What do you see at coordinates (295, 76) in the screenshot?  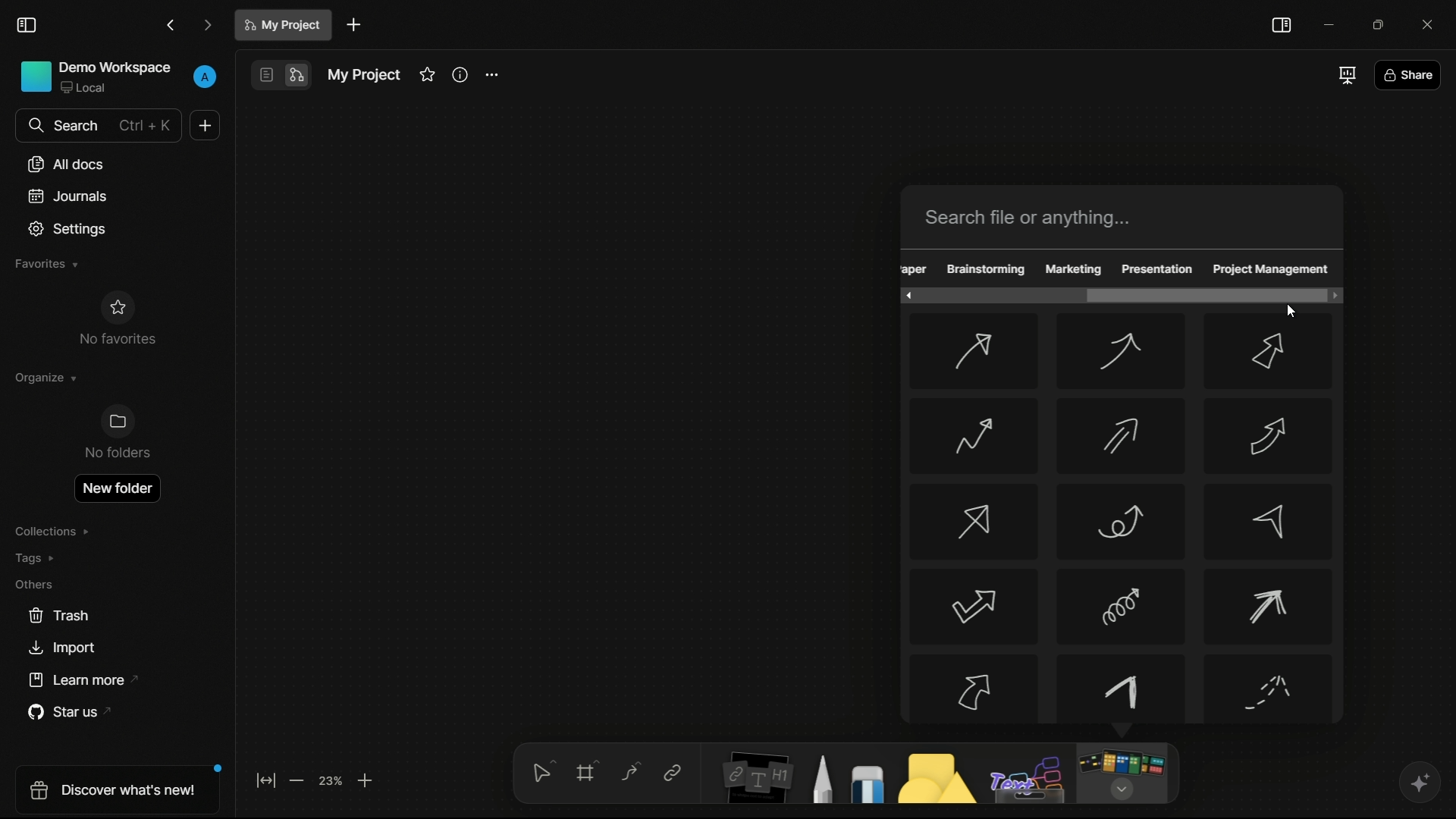 I see `edgeless mode` at bounding box center [295, 76].